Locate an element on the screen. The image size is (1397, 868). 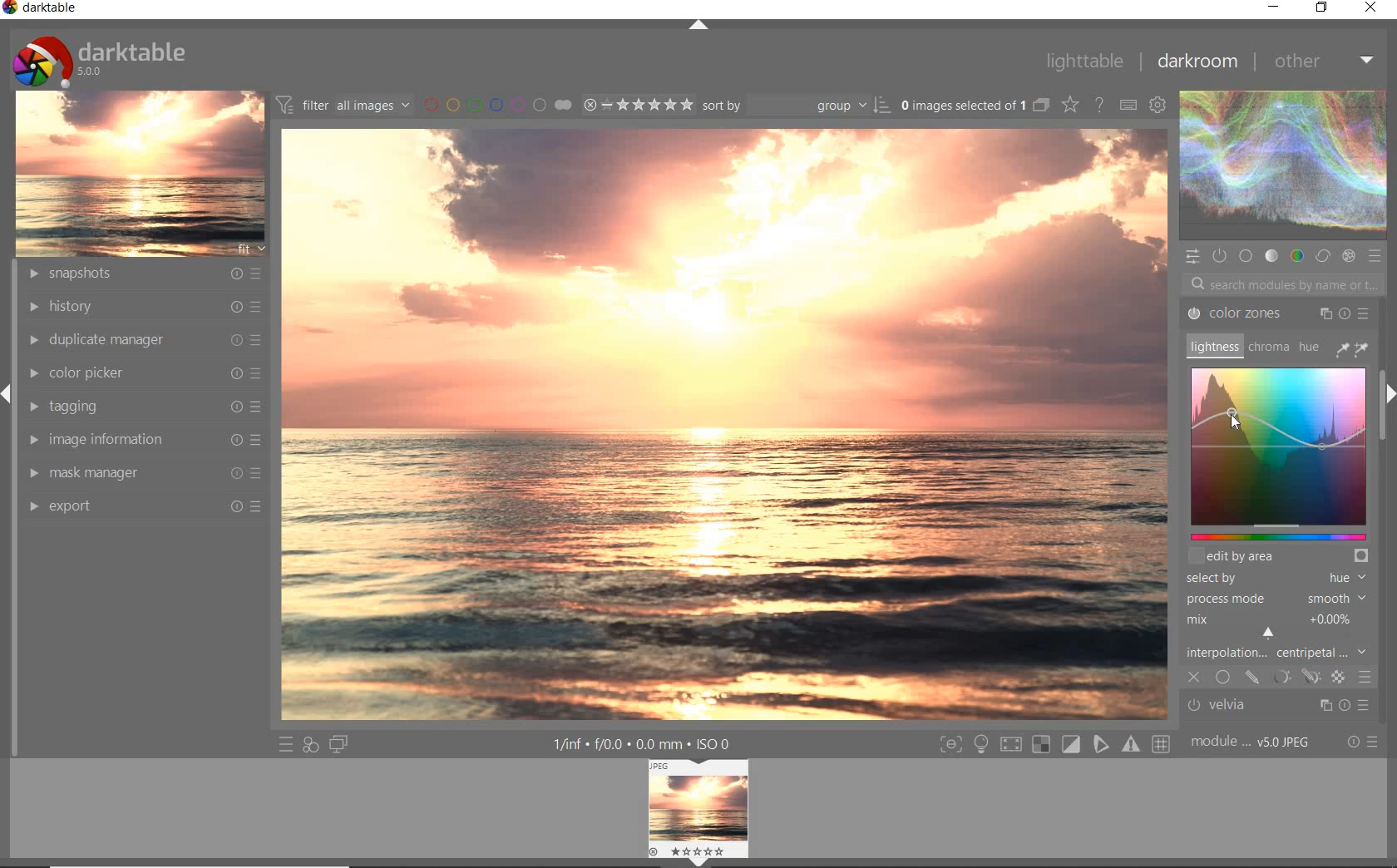
SHOW ONLY ACTIVE MODULES is located at coordinates (1219, 255).